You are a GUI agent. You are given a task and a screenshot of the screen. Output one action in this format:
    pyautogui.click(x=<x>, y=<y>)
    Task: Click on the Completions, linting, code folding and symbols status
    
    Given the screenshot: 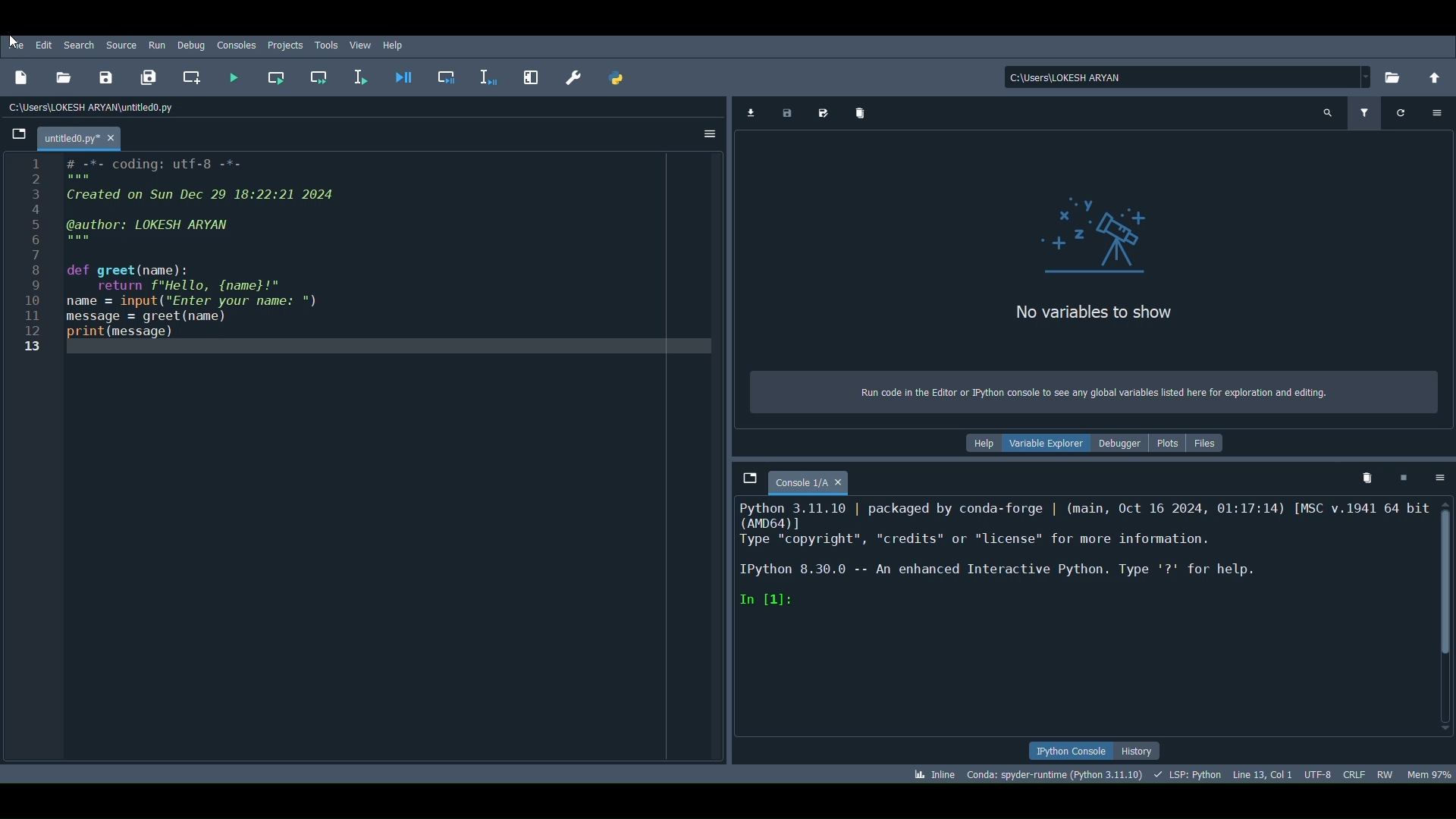 What is the action you would take?
    pyautogui.click(x=1186, y=773)
    